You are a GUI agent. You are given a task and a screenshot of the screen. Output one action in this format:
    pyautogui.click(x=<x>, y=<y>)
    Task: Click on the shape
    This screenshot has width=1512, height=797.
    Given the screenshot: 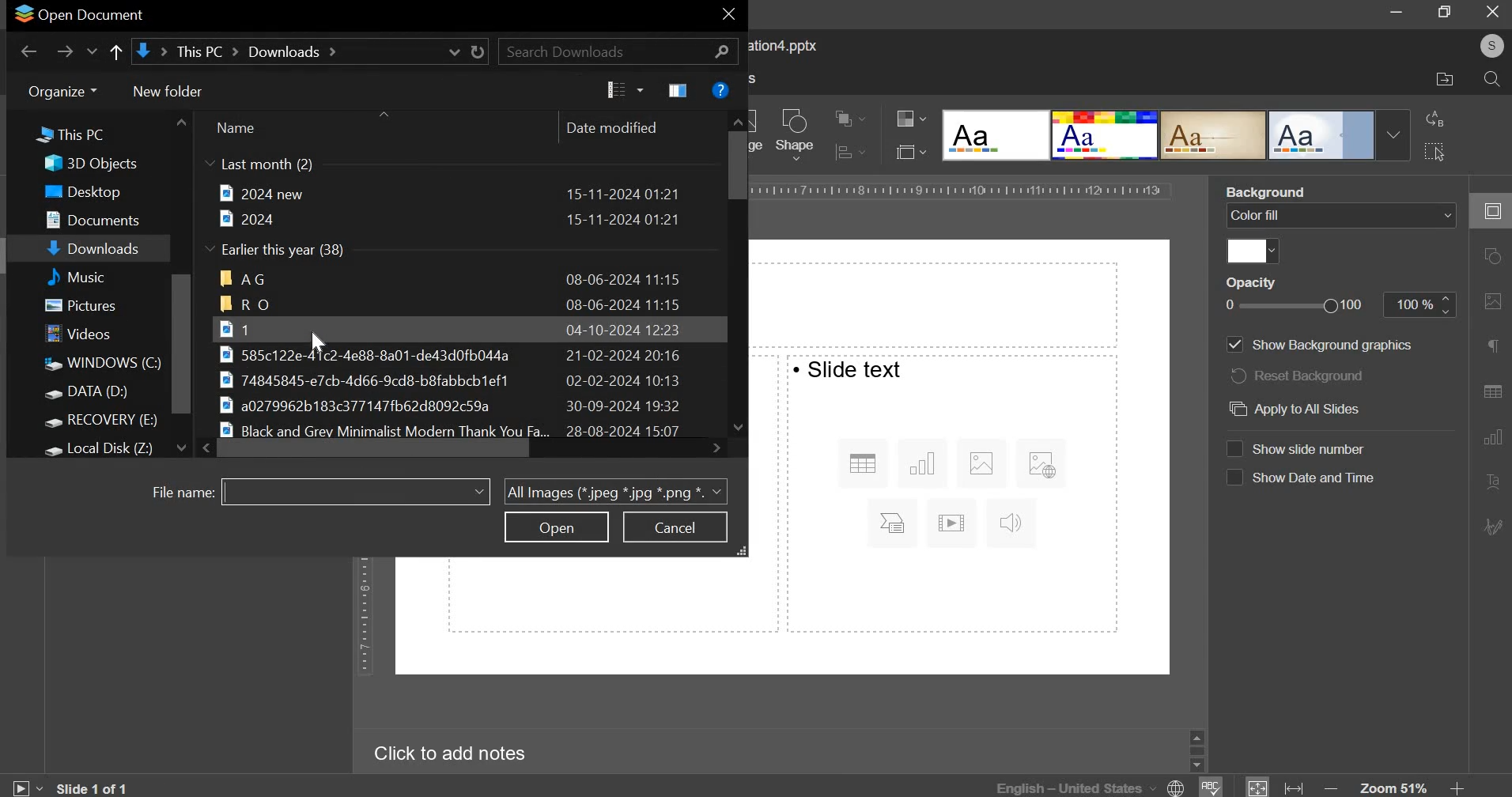 What is the action you would take?
    pyautogui.click(x=796, y=134)
    